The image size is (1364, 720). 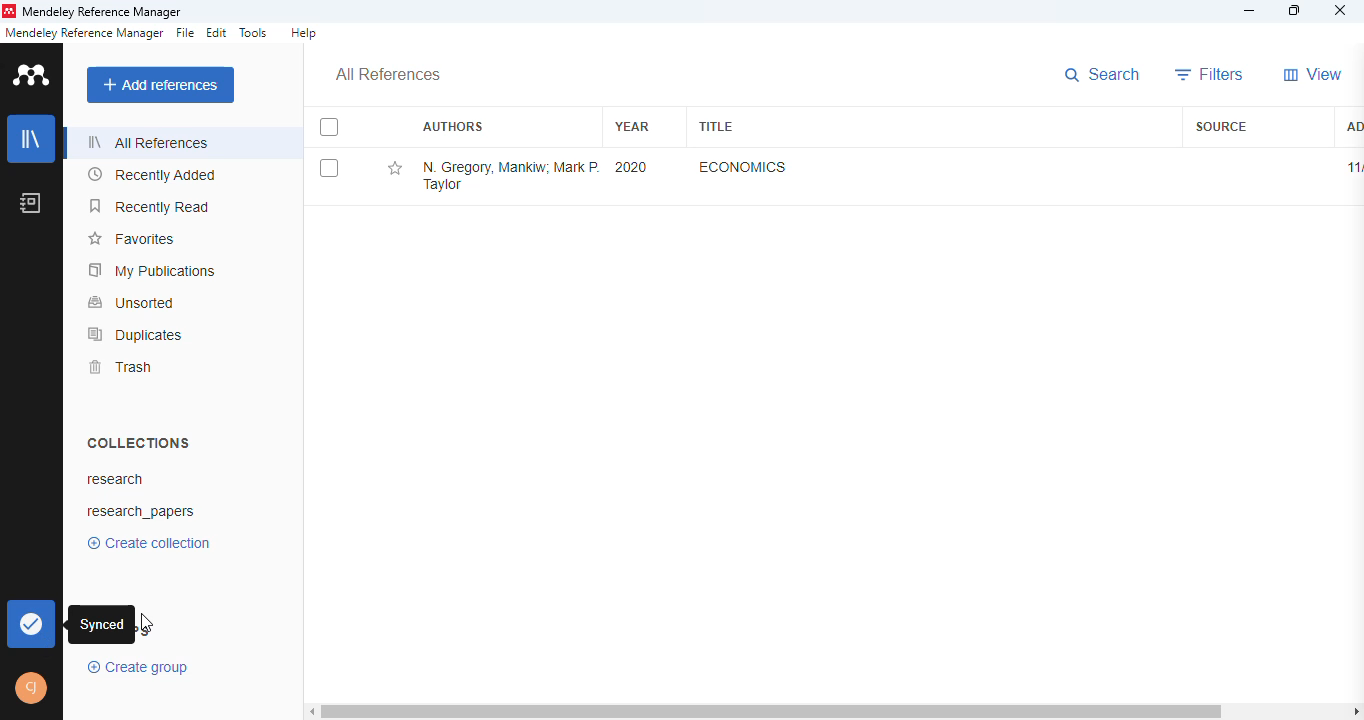 I want to click on create group, so click(x=140, y=668).